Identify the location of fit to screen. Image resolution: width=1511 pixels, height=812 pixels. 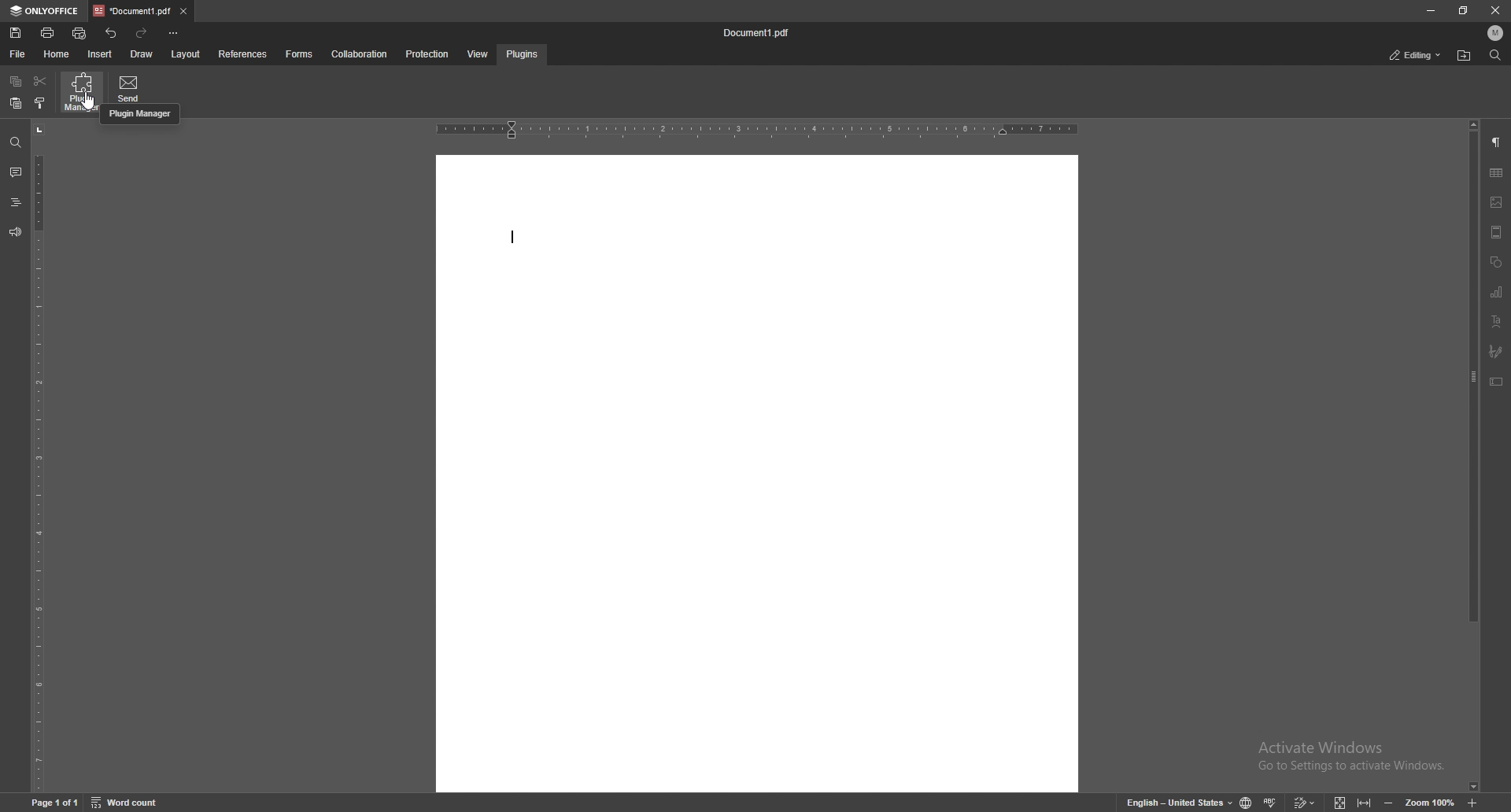
(1339, 802).